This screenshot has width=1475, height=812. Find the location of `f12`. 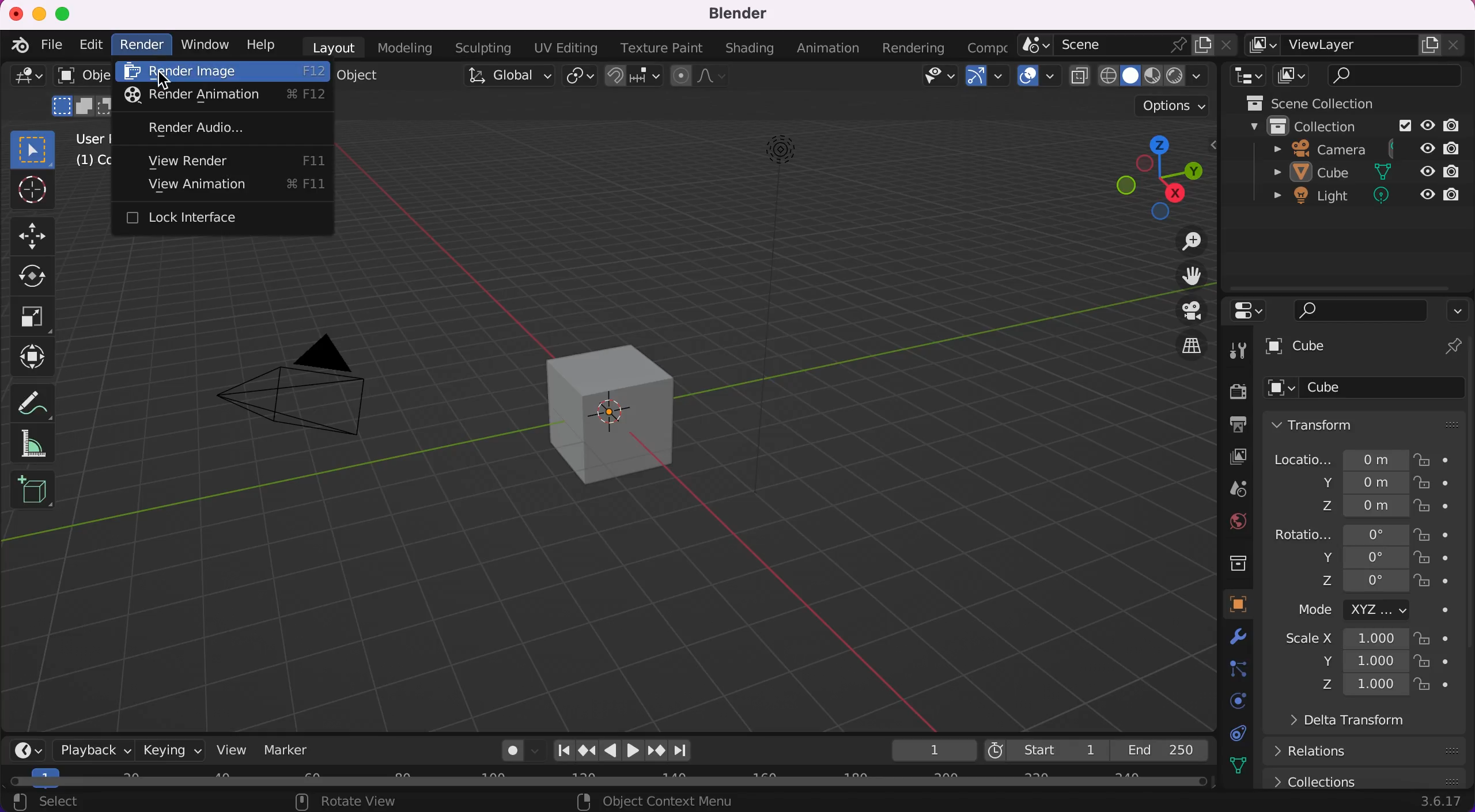

f12 is located at coordinates (315, 97).